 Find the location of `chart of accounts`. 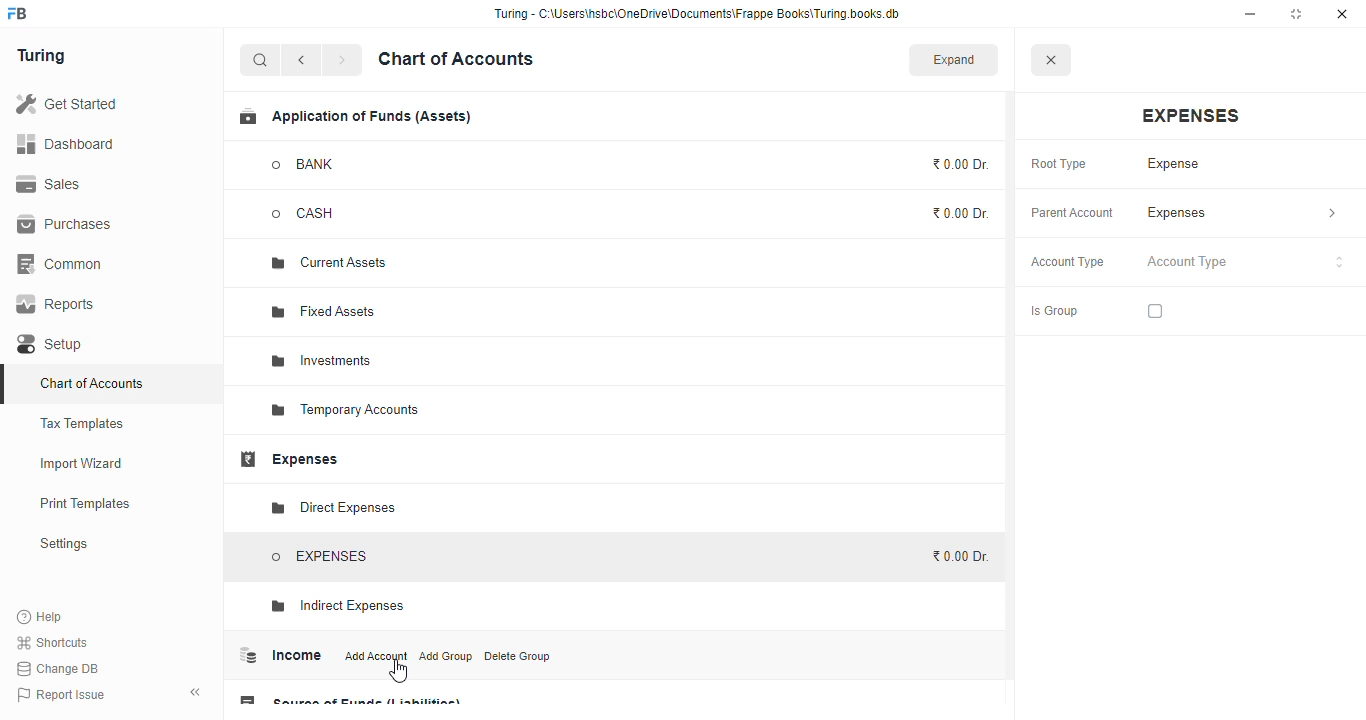

chart of accounts is located at coordinates (456, 59).